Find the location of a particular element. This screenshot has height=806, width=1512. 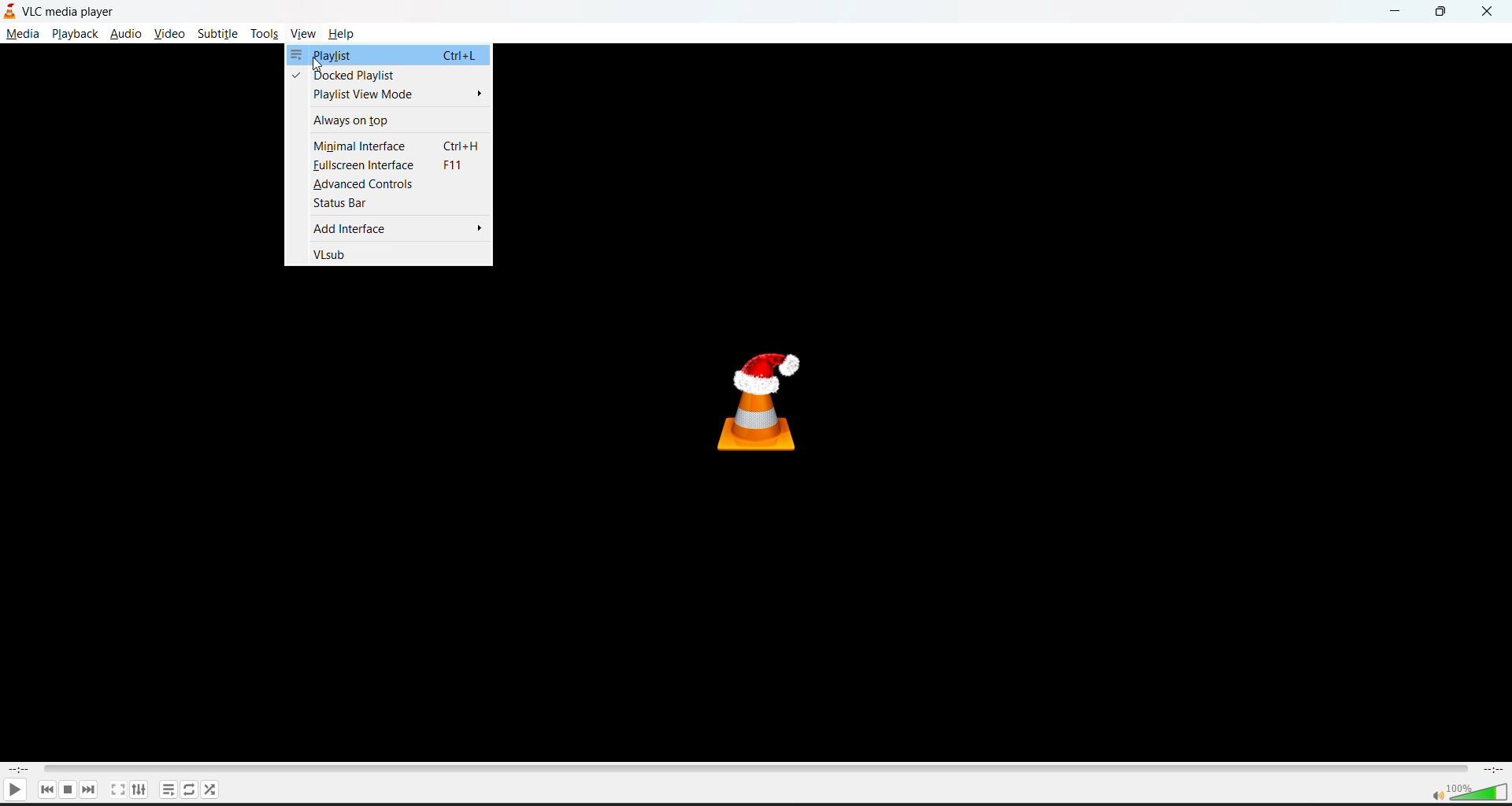

video is located at coordinates (169, 33).